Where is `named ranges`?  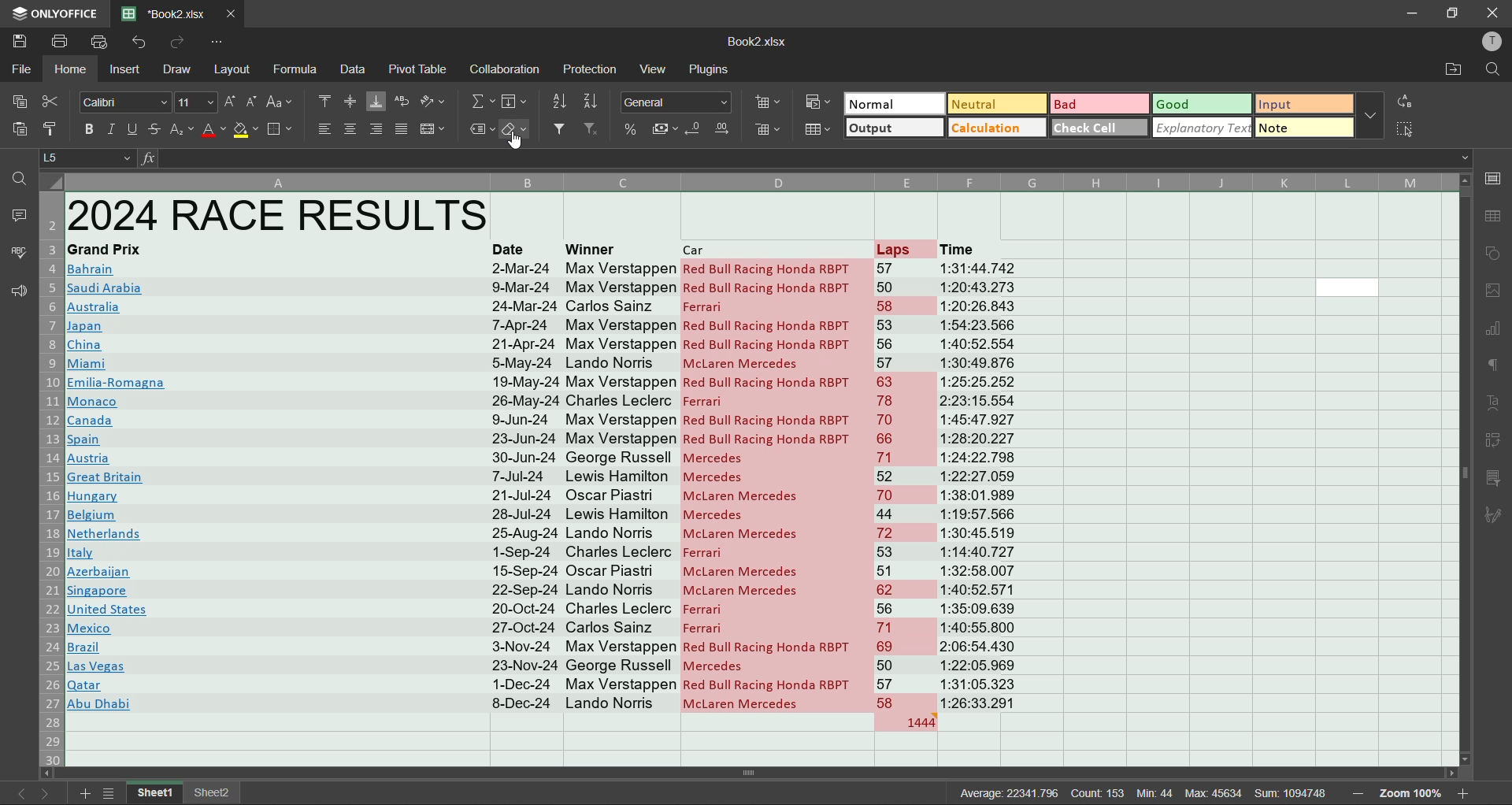 named ranges is located at coordinates (481, 132).